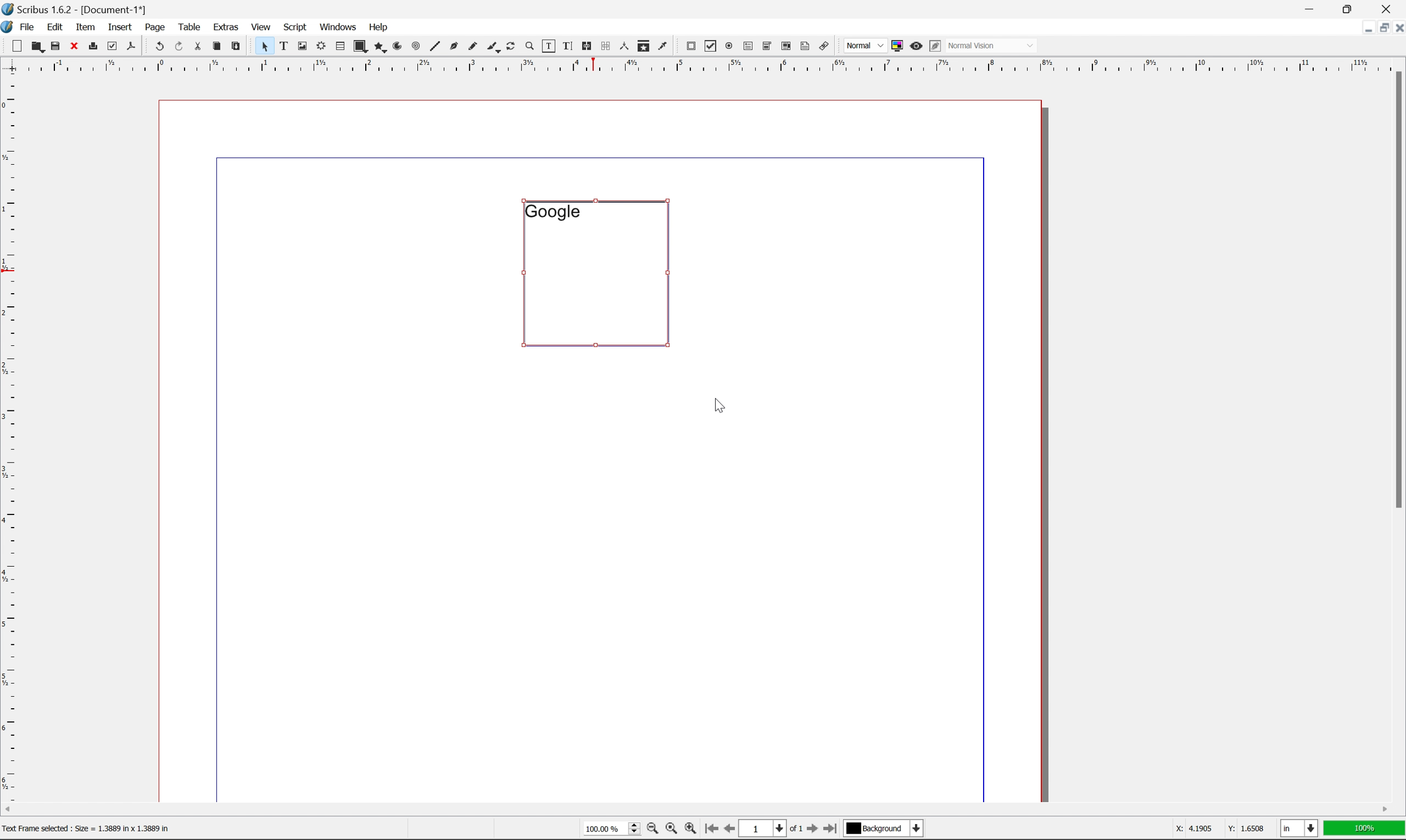 This screenshot has width=1406, height=840. Describe the element at coordinates (746, 47) in the screenshot. I see `pdf text field` at that location.